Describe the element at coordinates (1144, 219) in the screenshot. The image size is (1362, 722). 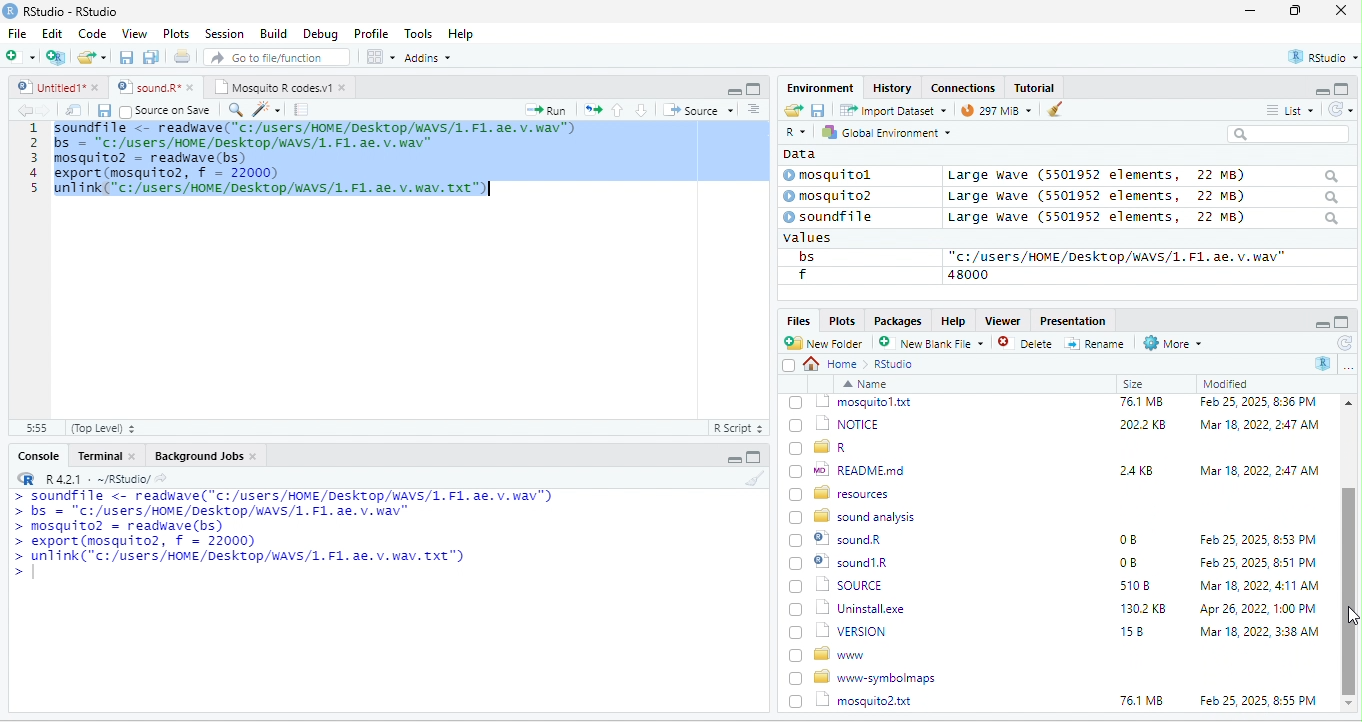
I see `Large wave (5501952 elements, 22 MB)` at that location.